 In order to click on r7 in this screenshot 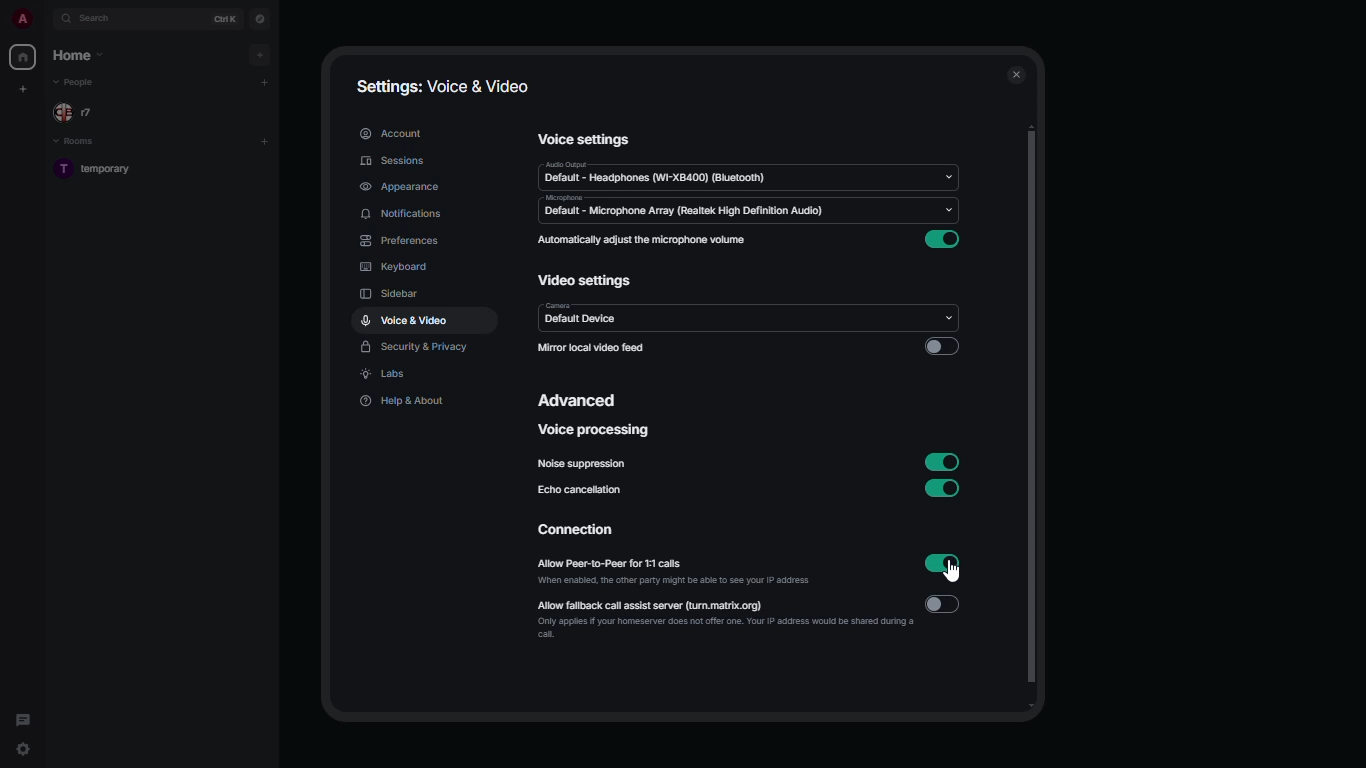, I will do `click(81, 111)`.